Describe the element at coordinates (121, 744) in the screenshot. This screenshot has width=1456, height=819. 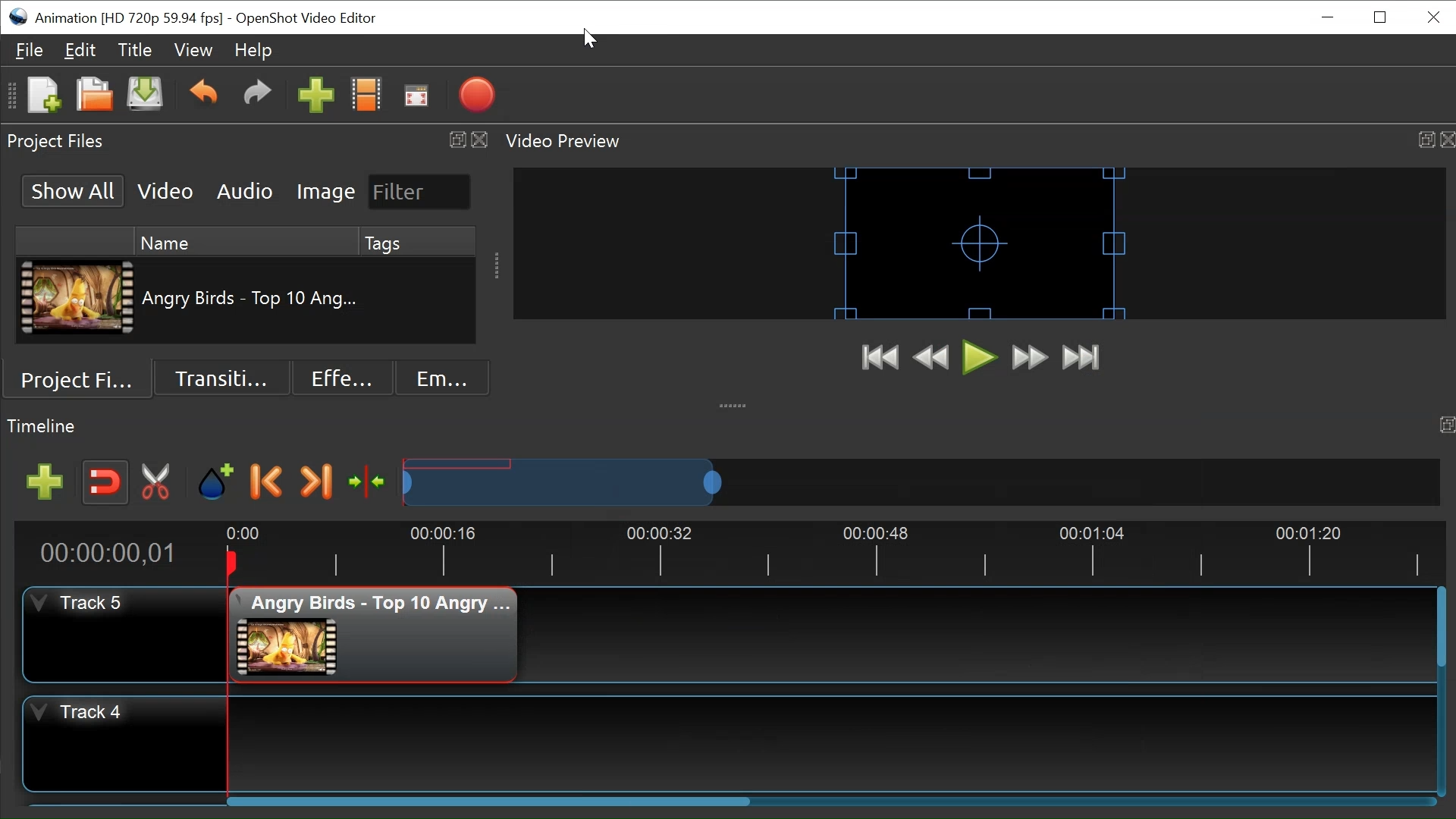
I see `Track Header` at that location.